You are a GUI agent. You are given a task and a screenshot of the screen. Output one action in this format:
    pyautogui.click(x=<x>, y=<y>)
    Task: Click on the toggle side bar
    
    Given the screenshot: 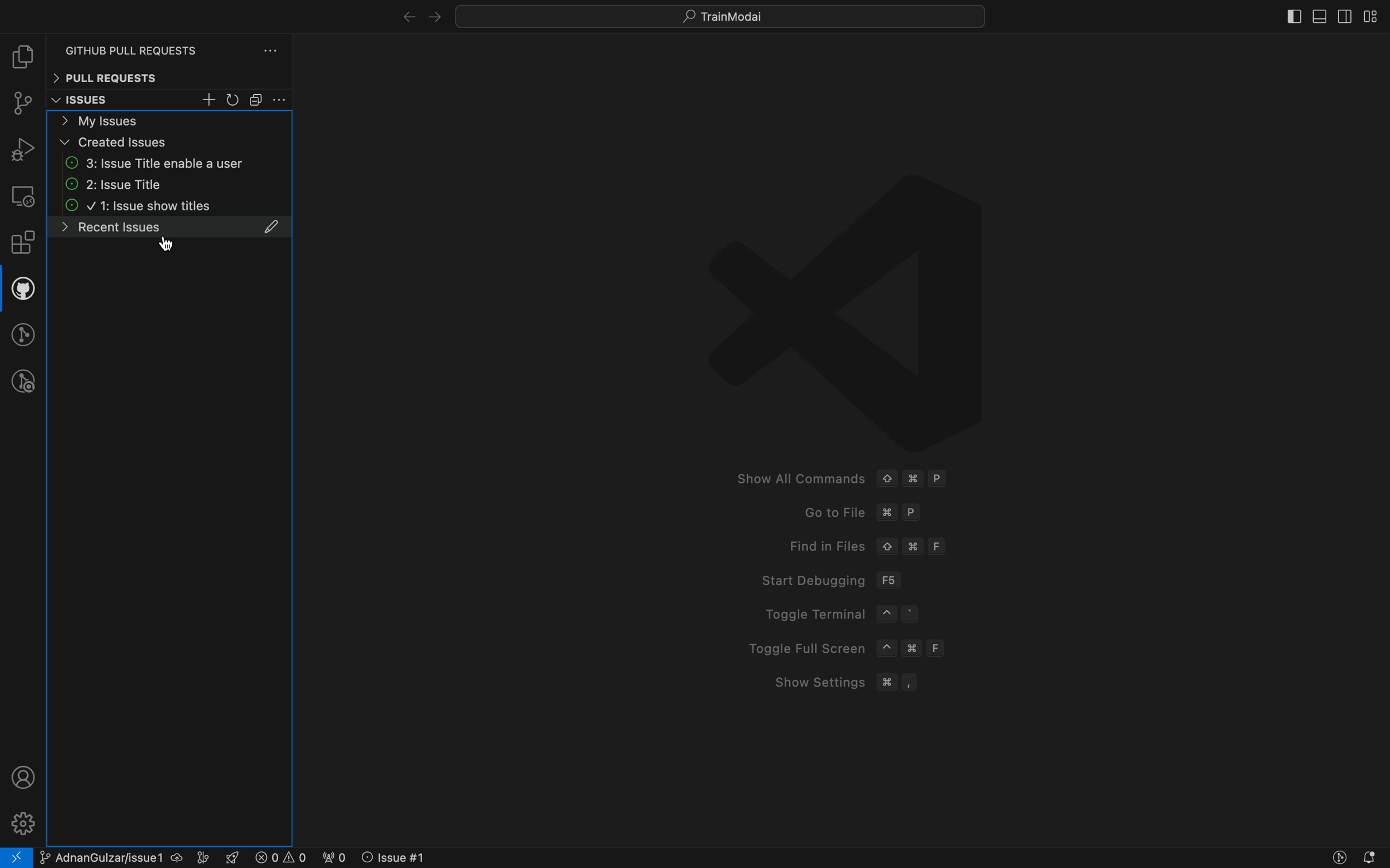 What is the action you would take?
    pyautogui.click(x=1278, y=18)
    